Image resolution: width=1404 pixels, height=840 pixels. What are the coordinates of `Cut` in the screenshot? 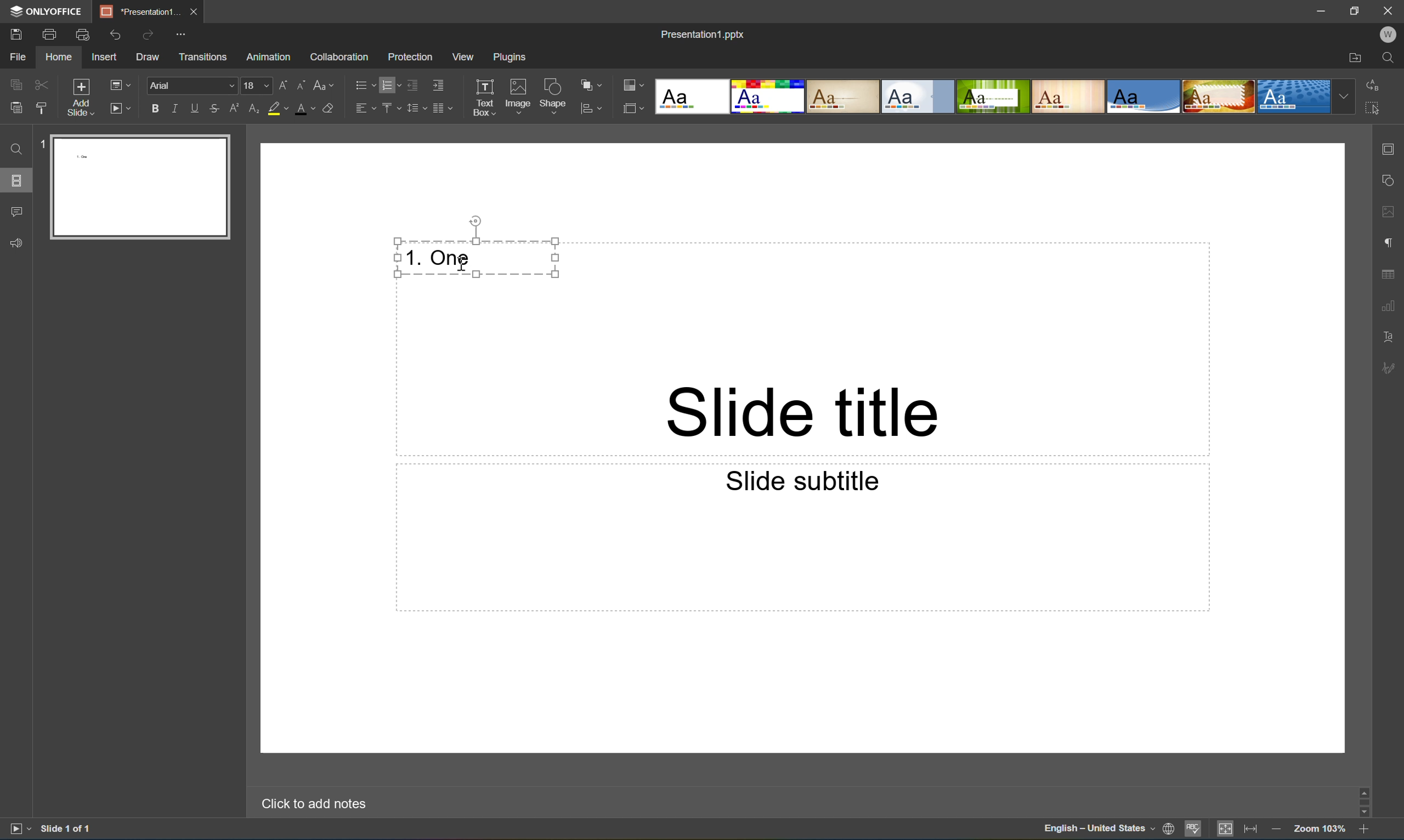 It's located at (41, 82).